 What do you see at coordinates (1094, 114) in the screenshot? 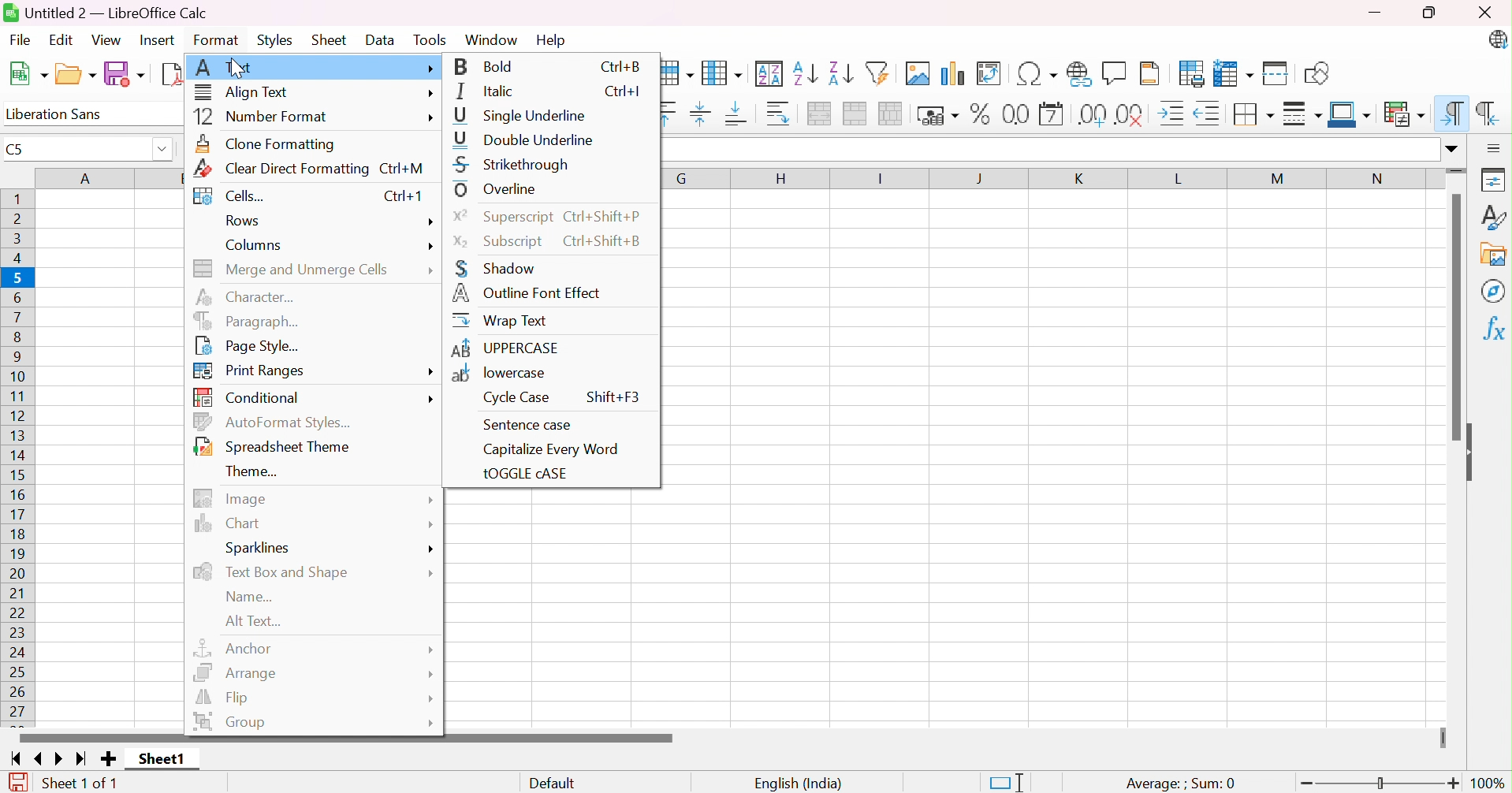
I see `Add Decimal Place` at bounding box center [1094, 114].